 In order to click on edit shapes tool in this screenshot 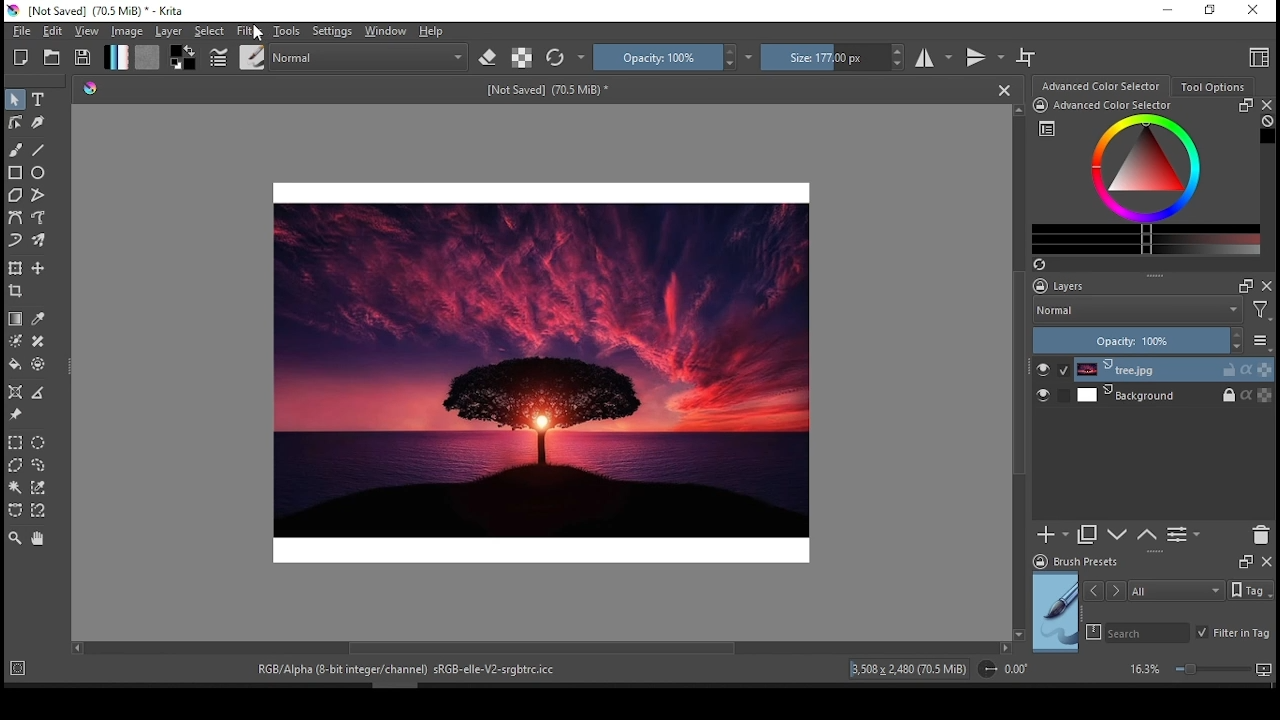, I will do `click(14, 122)`.